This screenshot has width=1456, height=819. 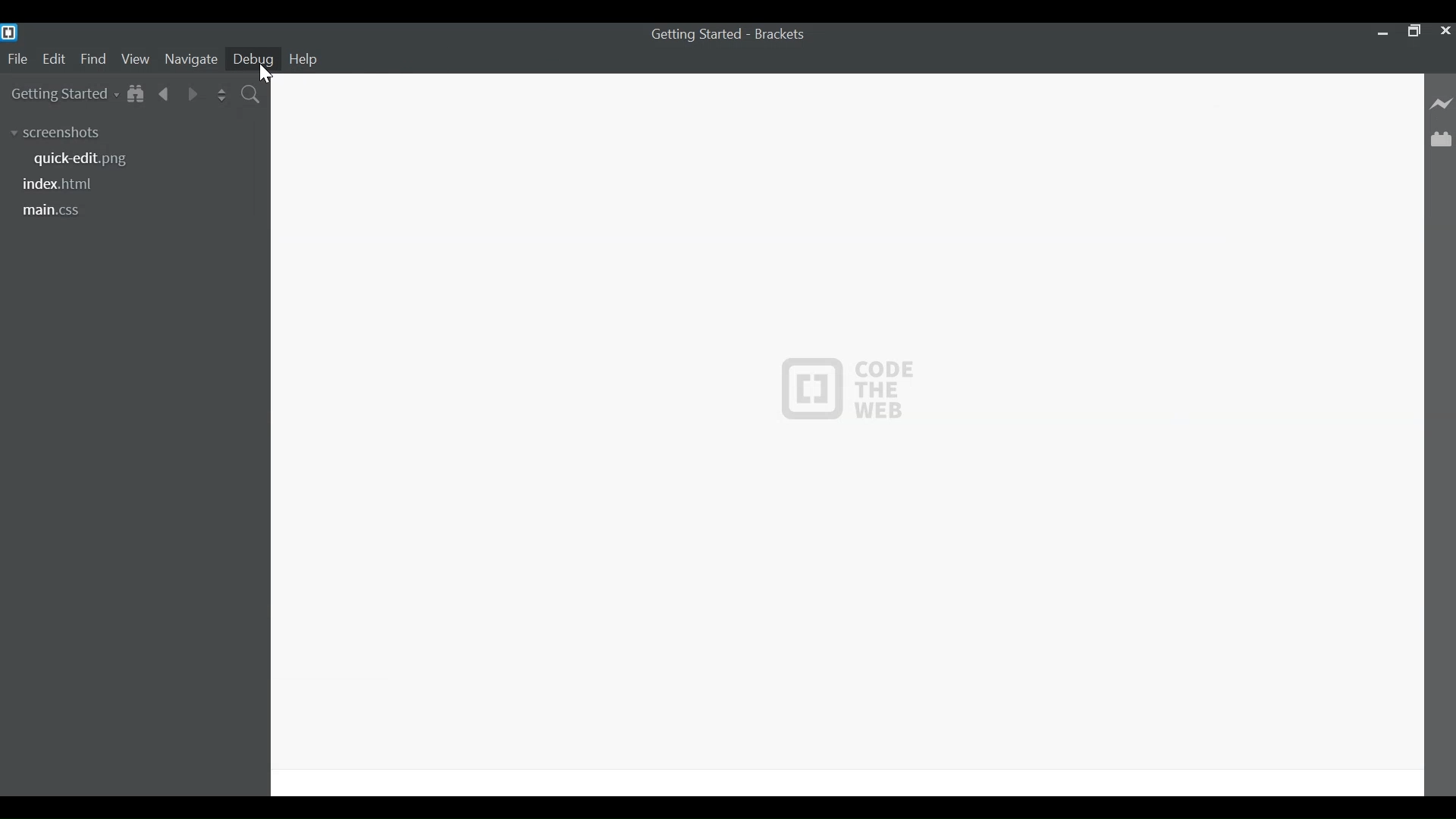 What do you see at coordinates (135, 94) in the screenshot?
I see `Show in File tree` at bounding box center [135, 94].